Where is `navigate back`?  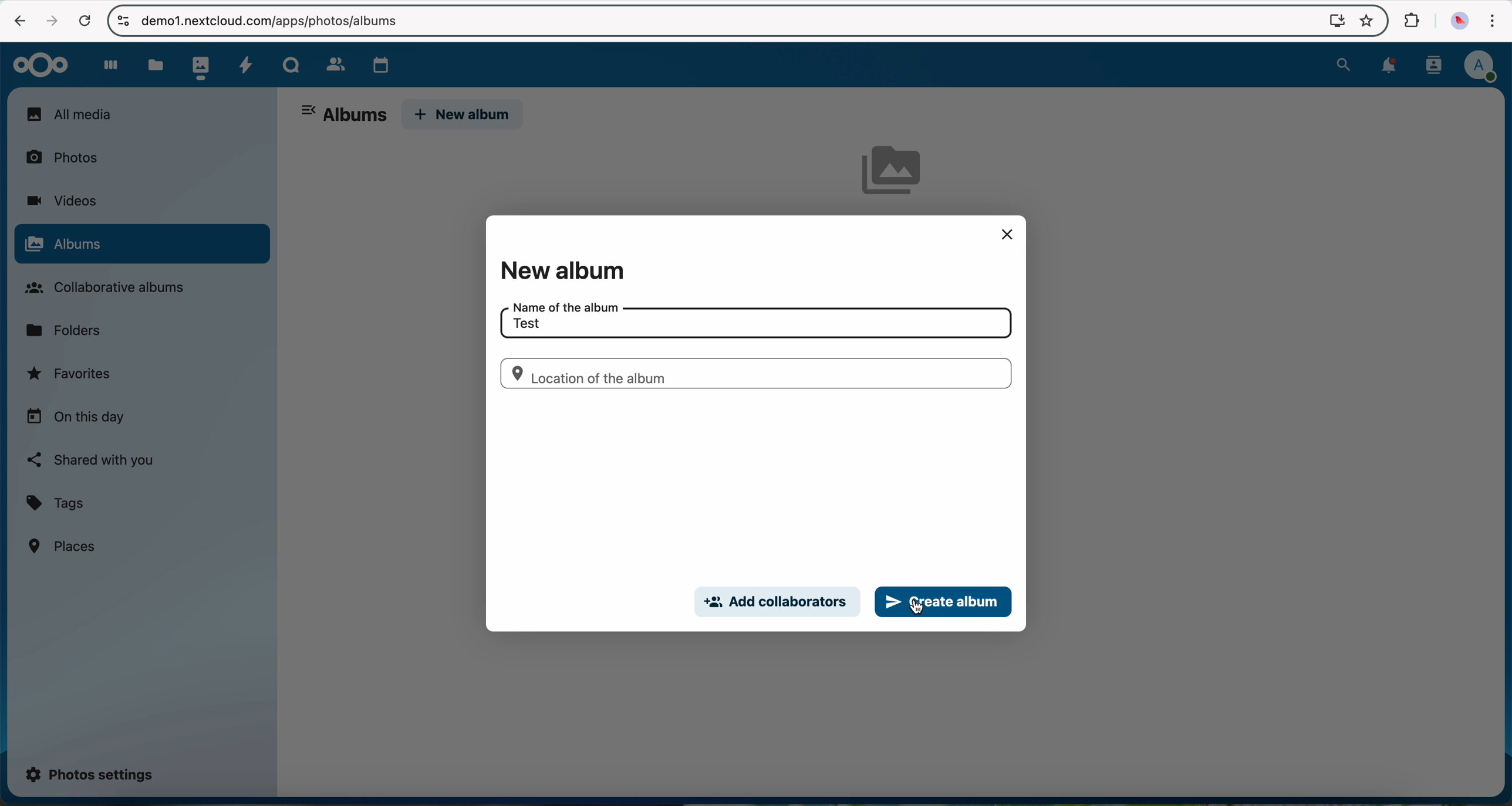 navigate back is located at coordinates (15, 19).